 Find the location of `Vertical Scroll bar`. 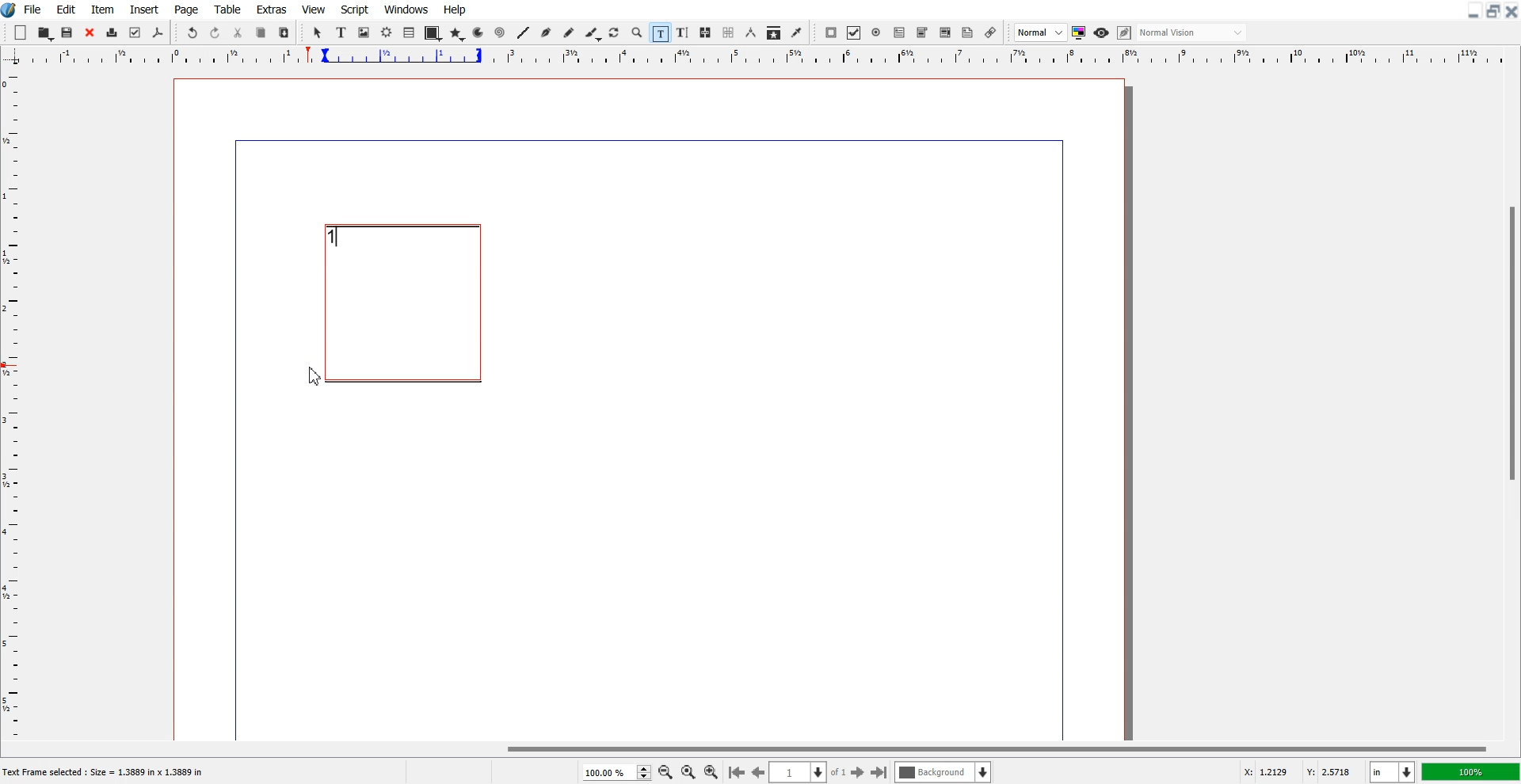

Vertical Scroll bar is located at coordinates (1511, 404).